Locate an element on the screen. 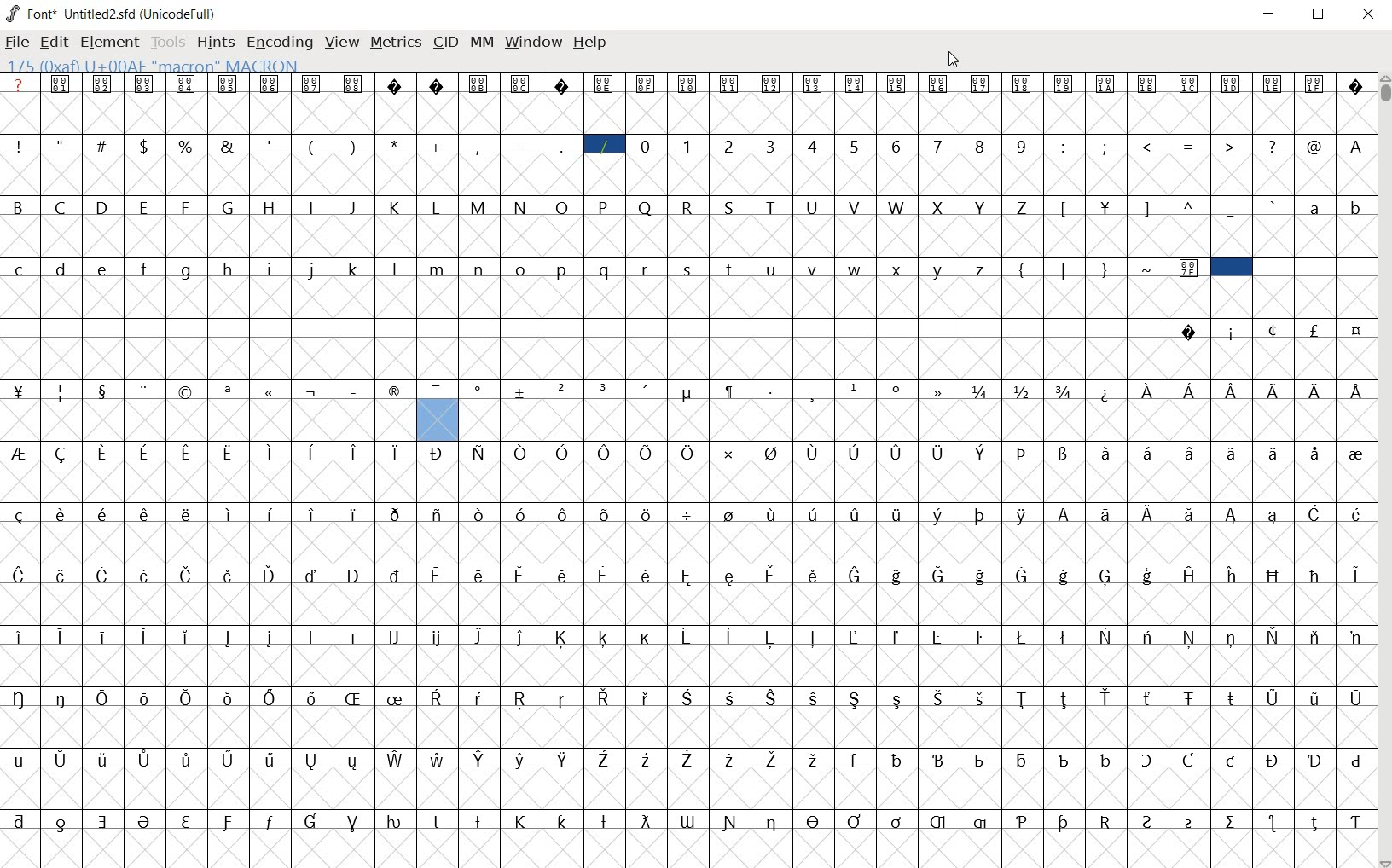 Image resolution: width=1392 pixels, height=868 pixels. Symbol is located at coordinates (315, 699).